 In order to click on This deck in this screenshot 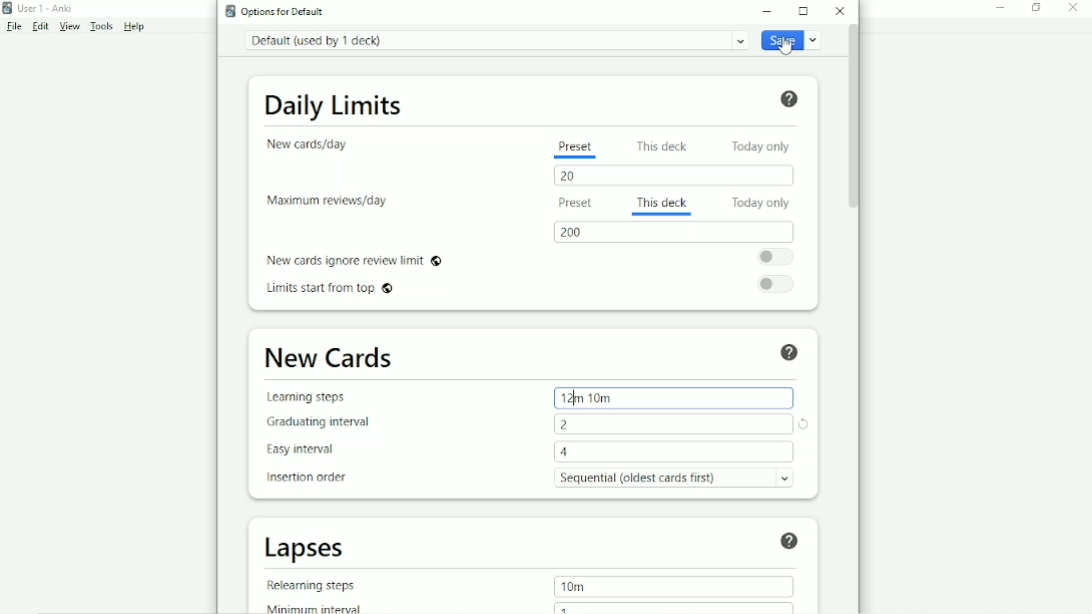, I will do `click(661, 146)`.